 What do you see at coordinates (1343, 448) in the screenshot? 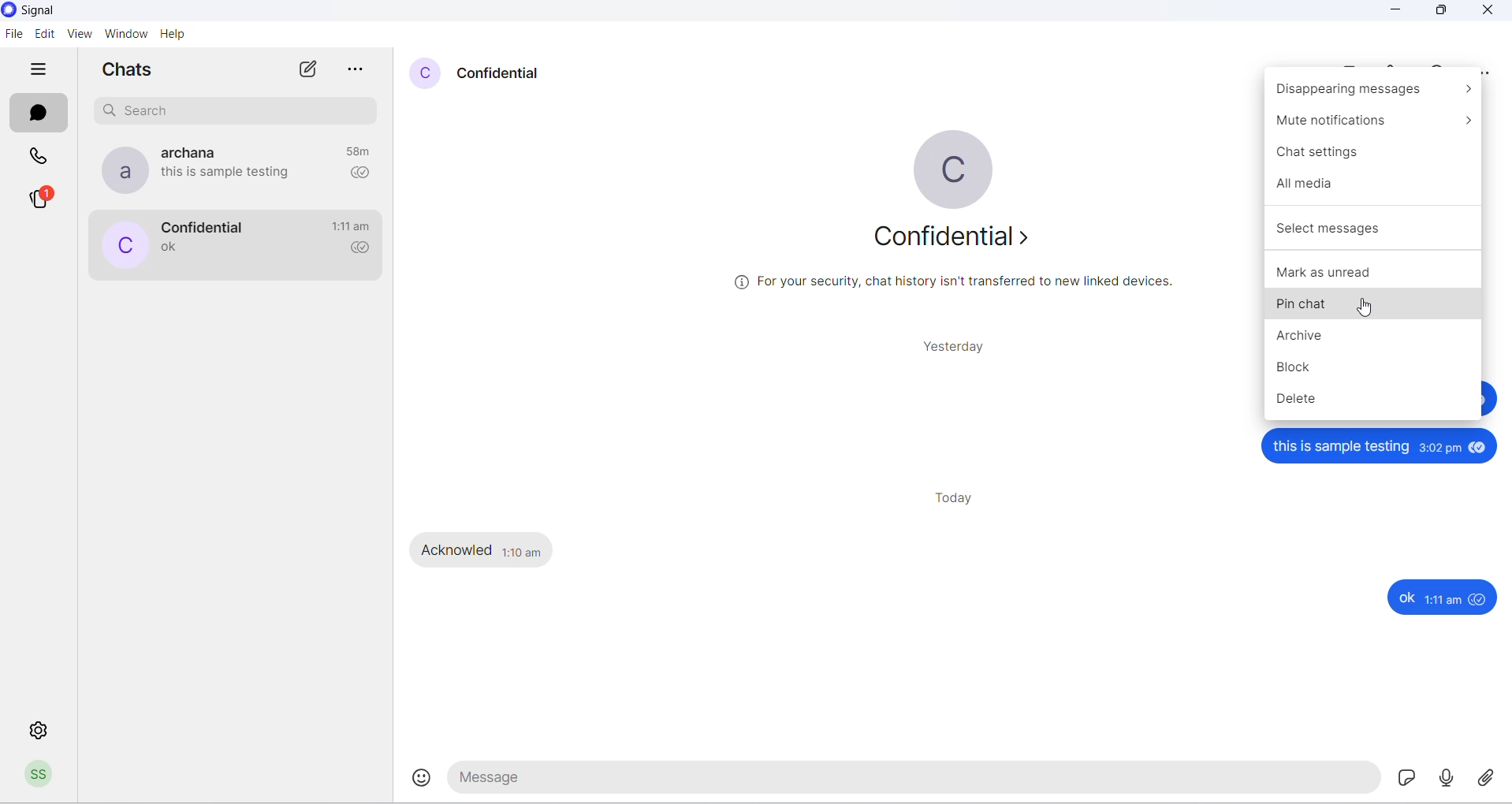
I see `this is sample testing` at bounding box center [1343, 448].